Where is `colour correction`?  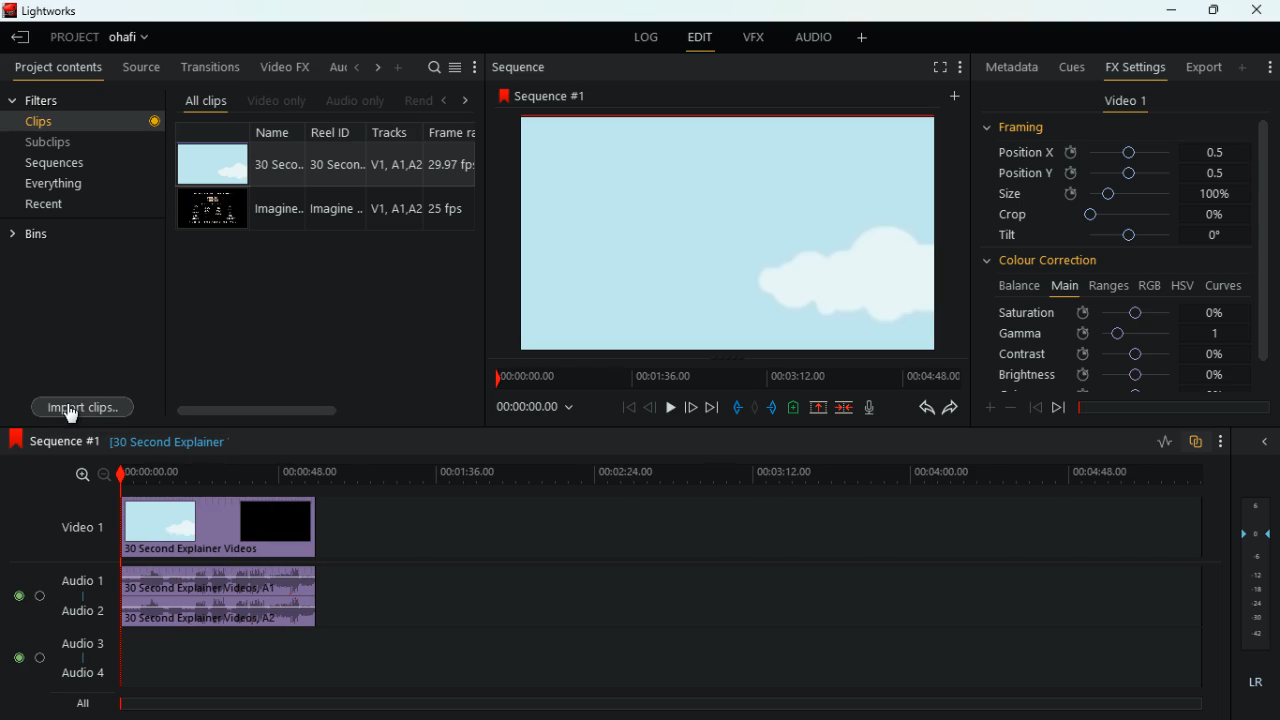
colour correction is located at coordinates (1045, 263).